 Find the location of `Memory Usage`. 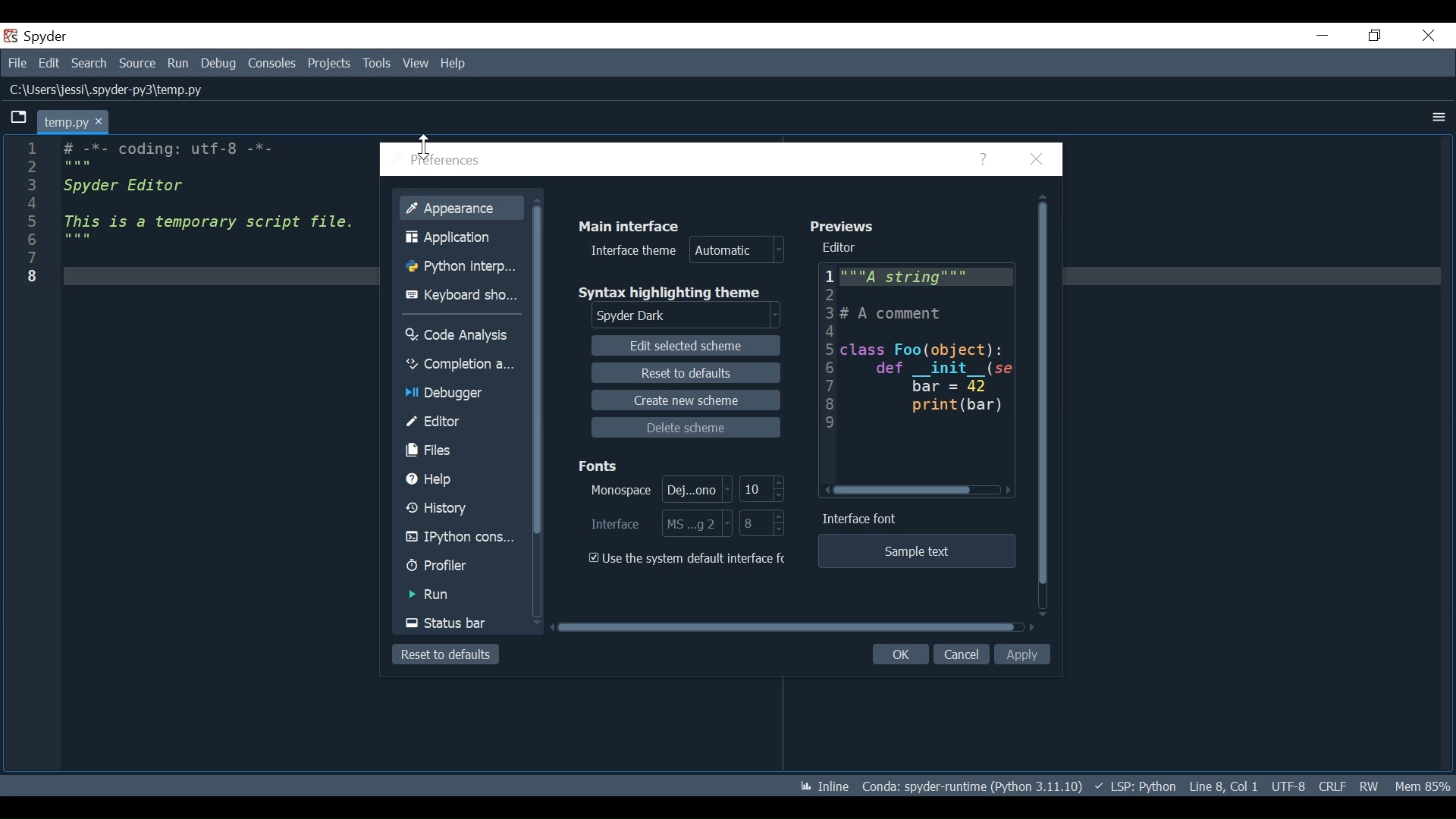

Memory Usage is located at coordinates (1422, 786).